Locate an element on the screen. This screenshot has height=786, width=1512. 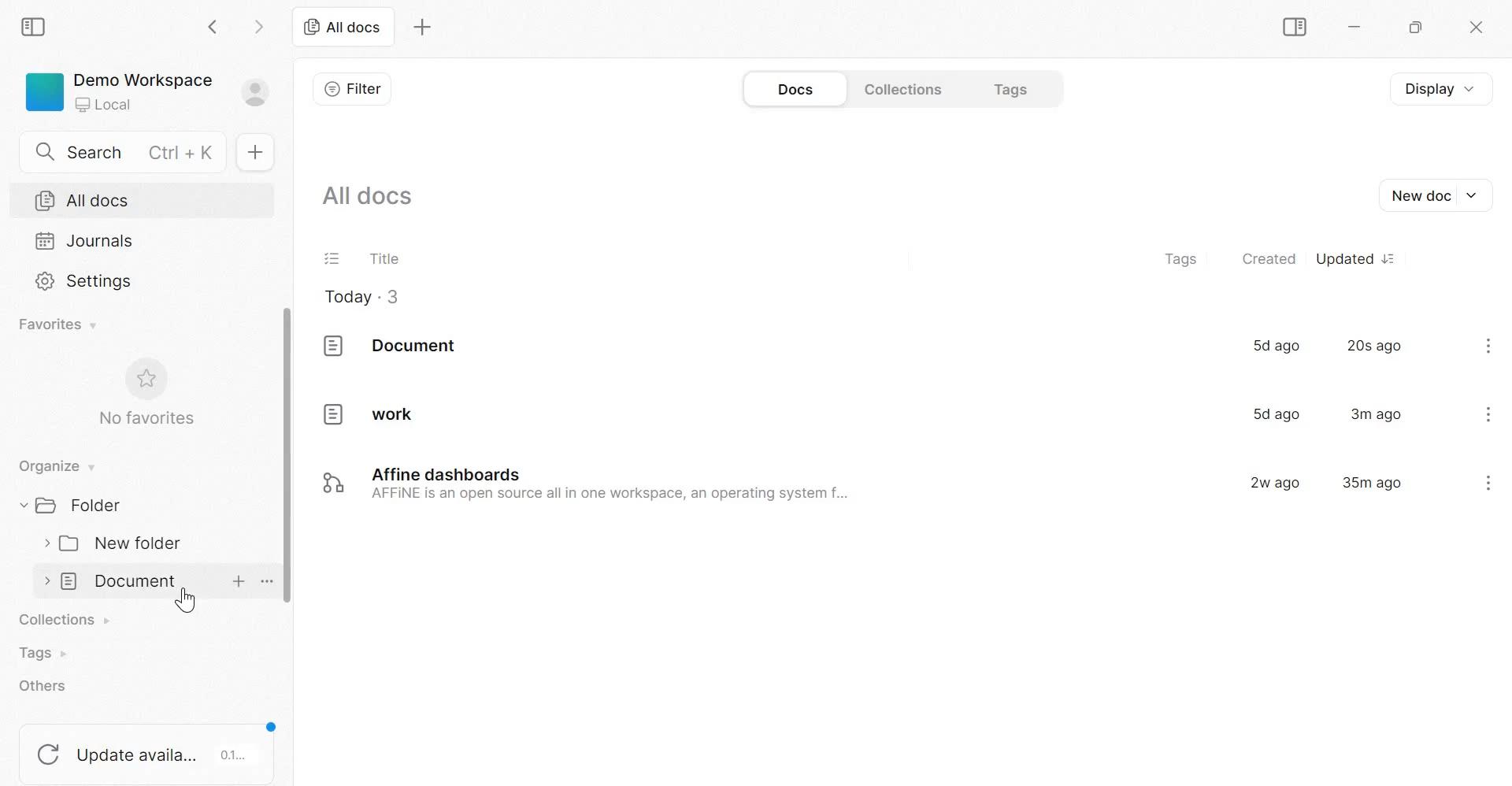
Tags is located at coordinates (1014, 89).